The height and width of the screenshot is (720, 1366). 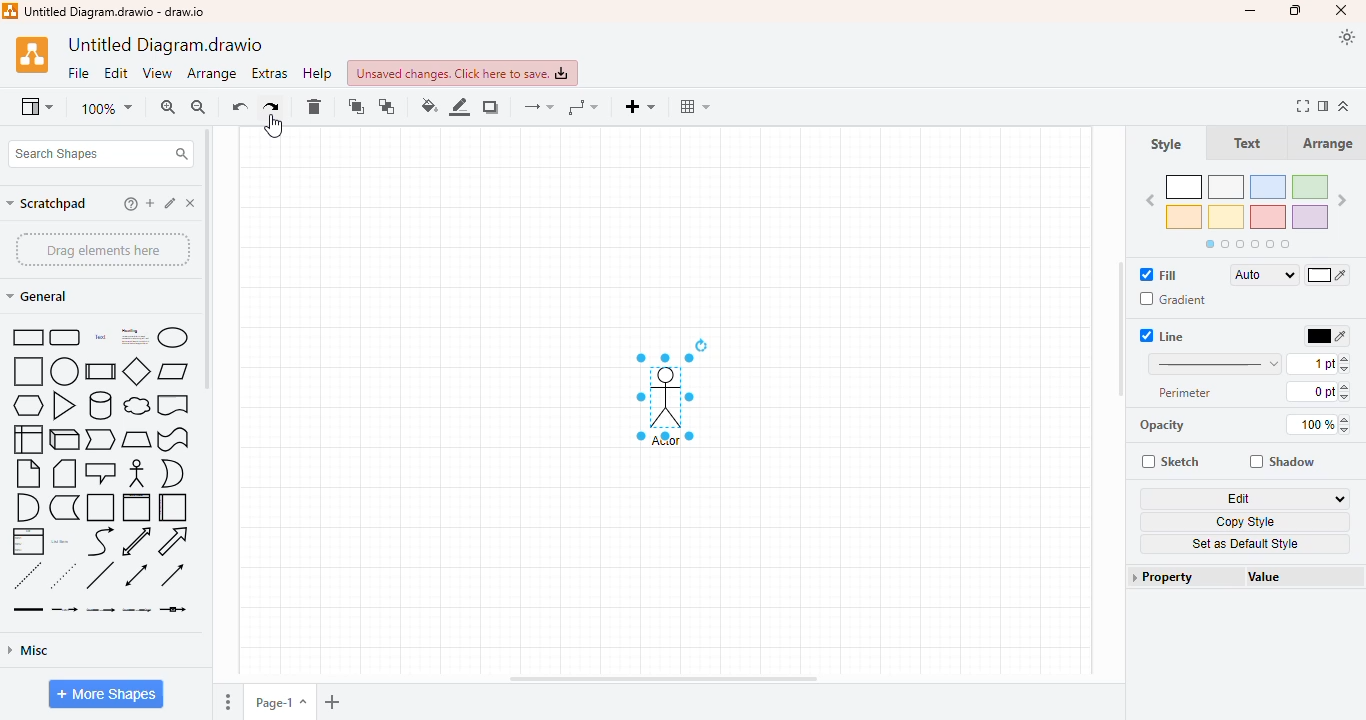 What do you see at coordinates (1172, 299) in the screenshot?
I see `gradient` at bounding box center [1172, 299].